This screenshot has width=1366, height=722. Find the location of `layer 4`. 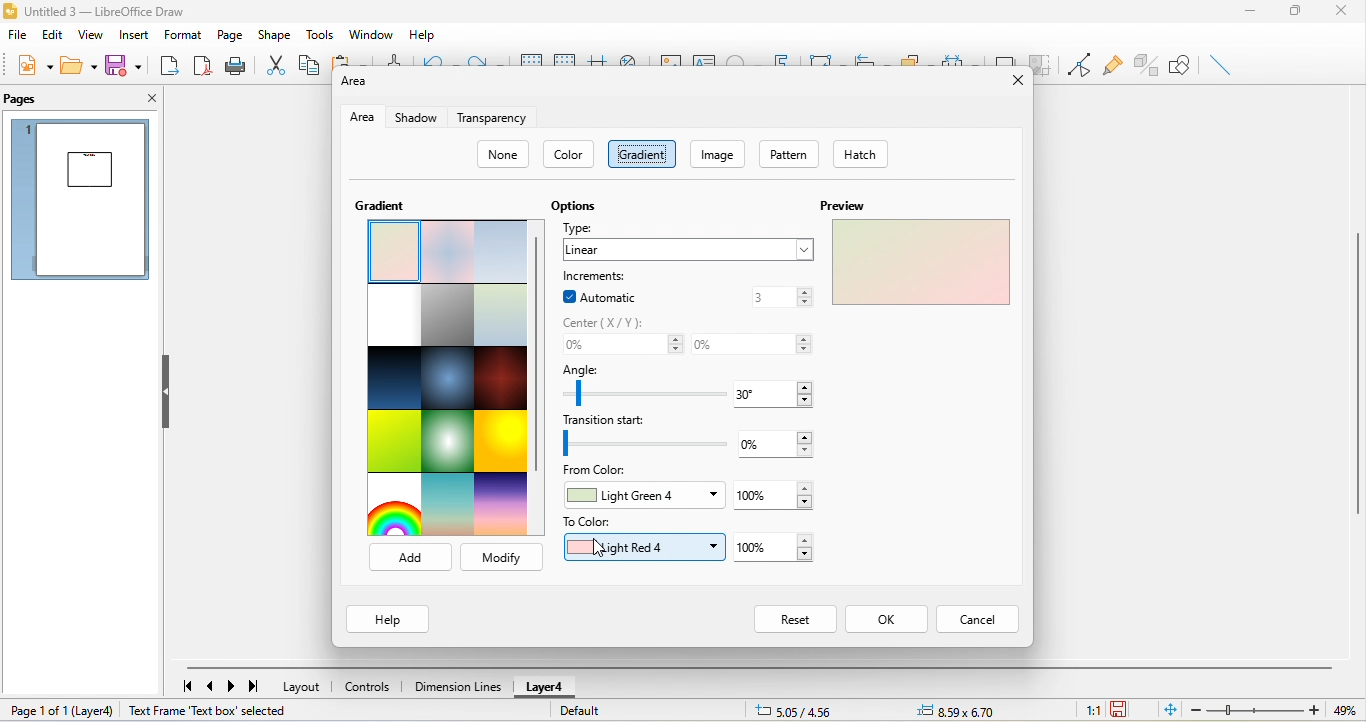

layer 4 is located at coordinates (97, 711).